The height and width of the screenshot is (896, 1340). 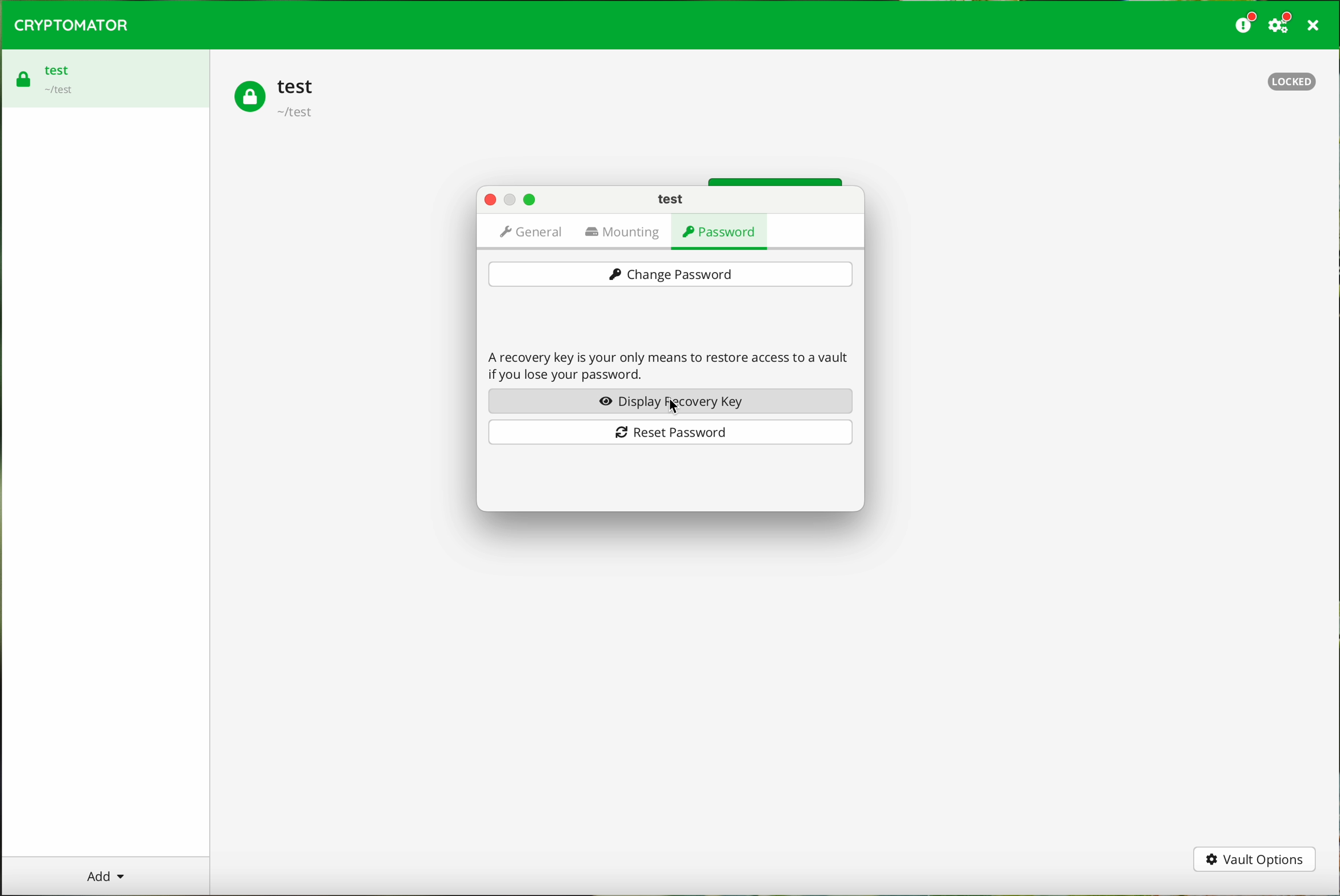 I want to click on password, so click(x=721, y=231).